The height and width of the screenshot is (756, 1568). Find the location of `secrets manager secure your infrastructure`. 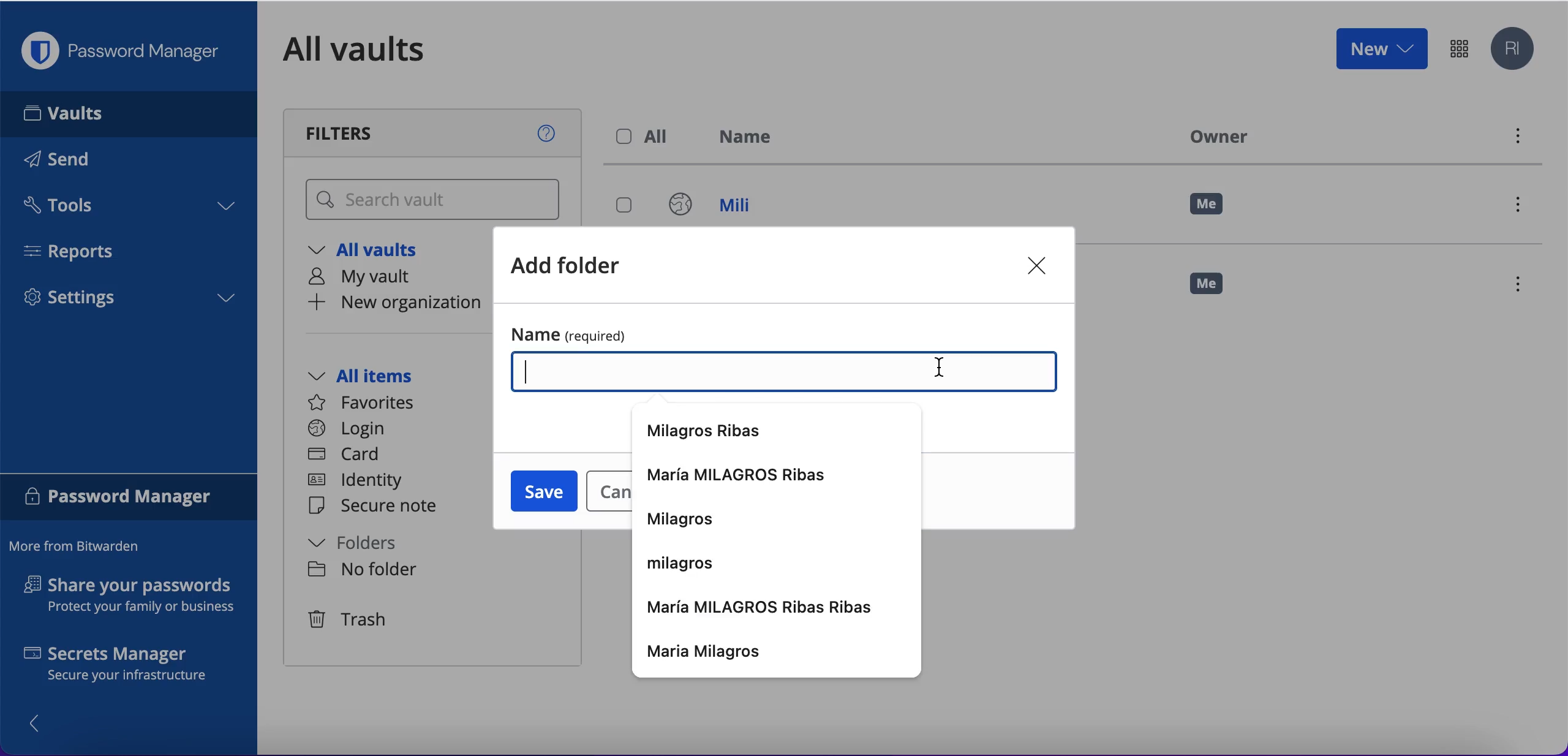

secrets manager secure your infrastructure is located at coordinates (129, 667).